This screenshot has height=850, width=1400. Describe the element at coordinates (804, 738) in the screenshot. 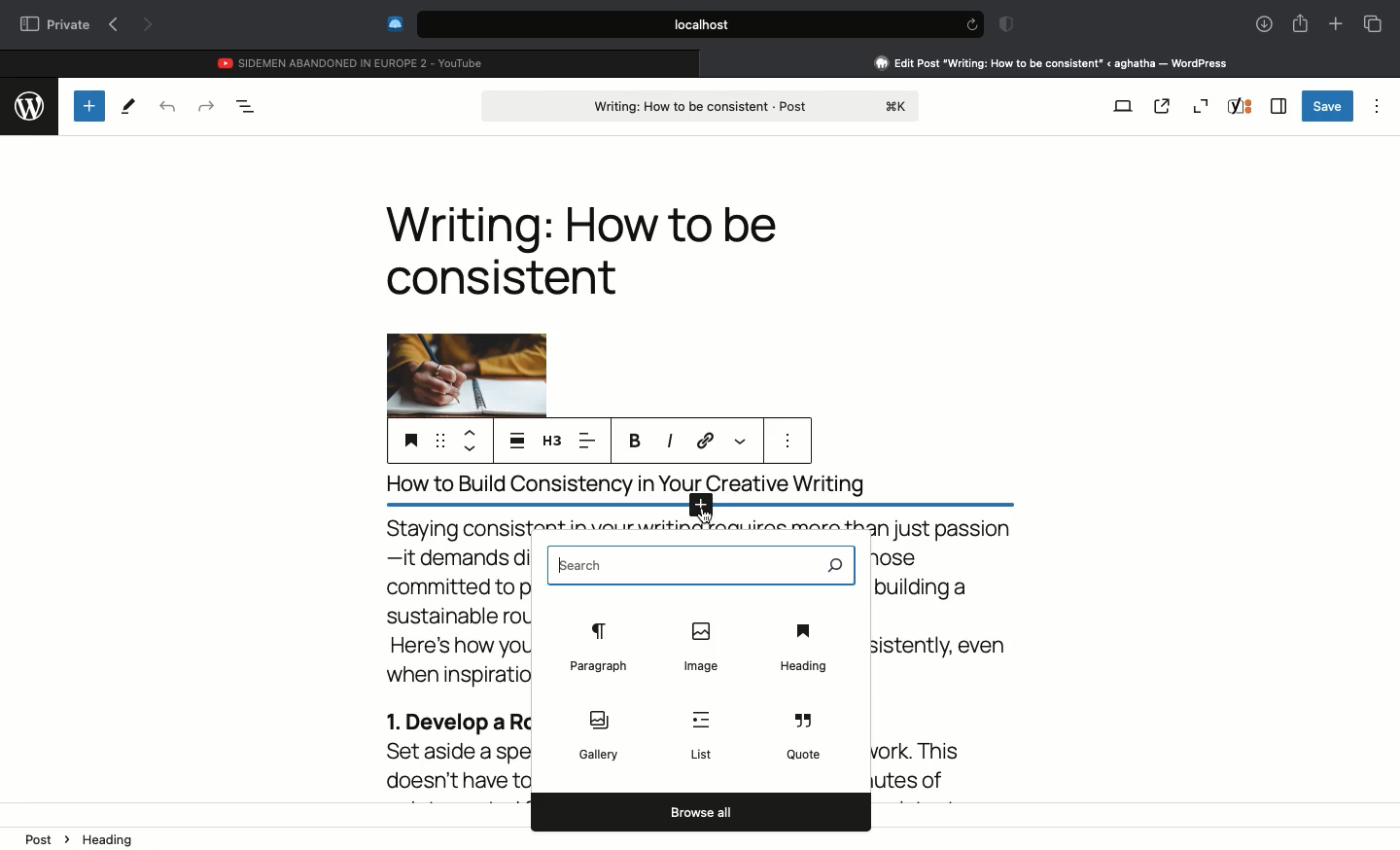

I see `Quote` at that location.